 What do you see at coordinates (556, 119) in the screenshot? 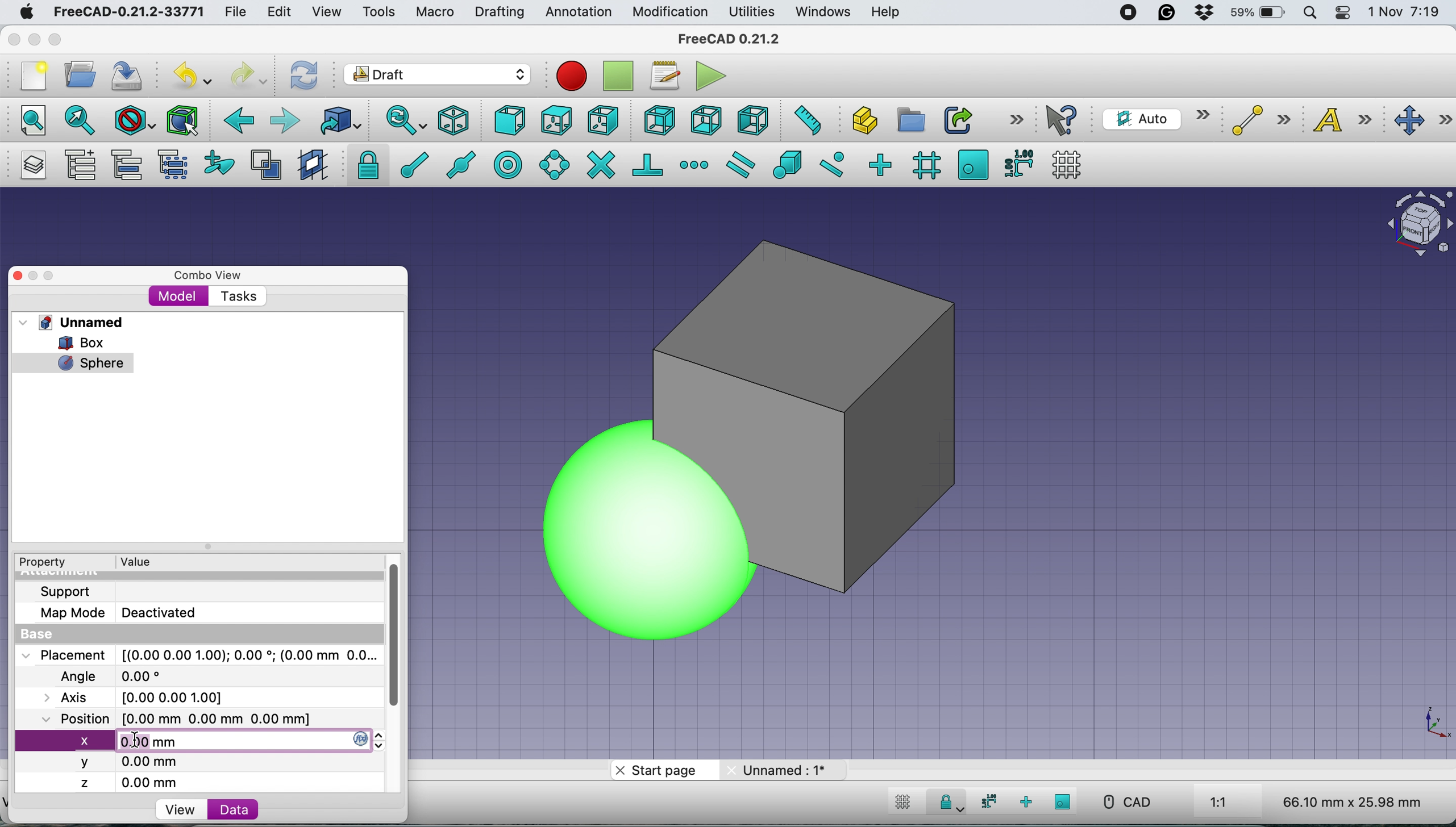
I see `top` at bounding box center [556, 119].